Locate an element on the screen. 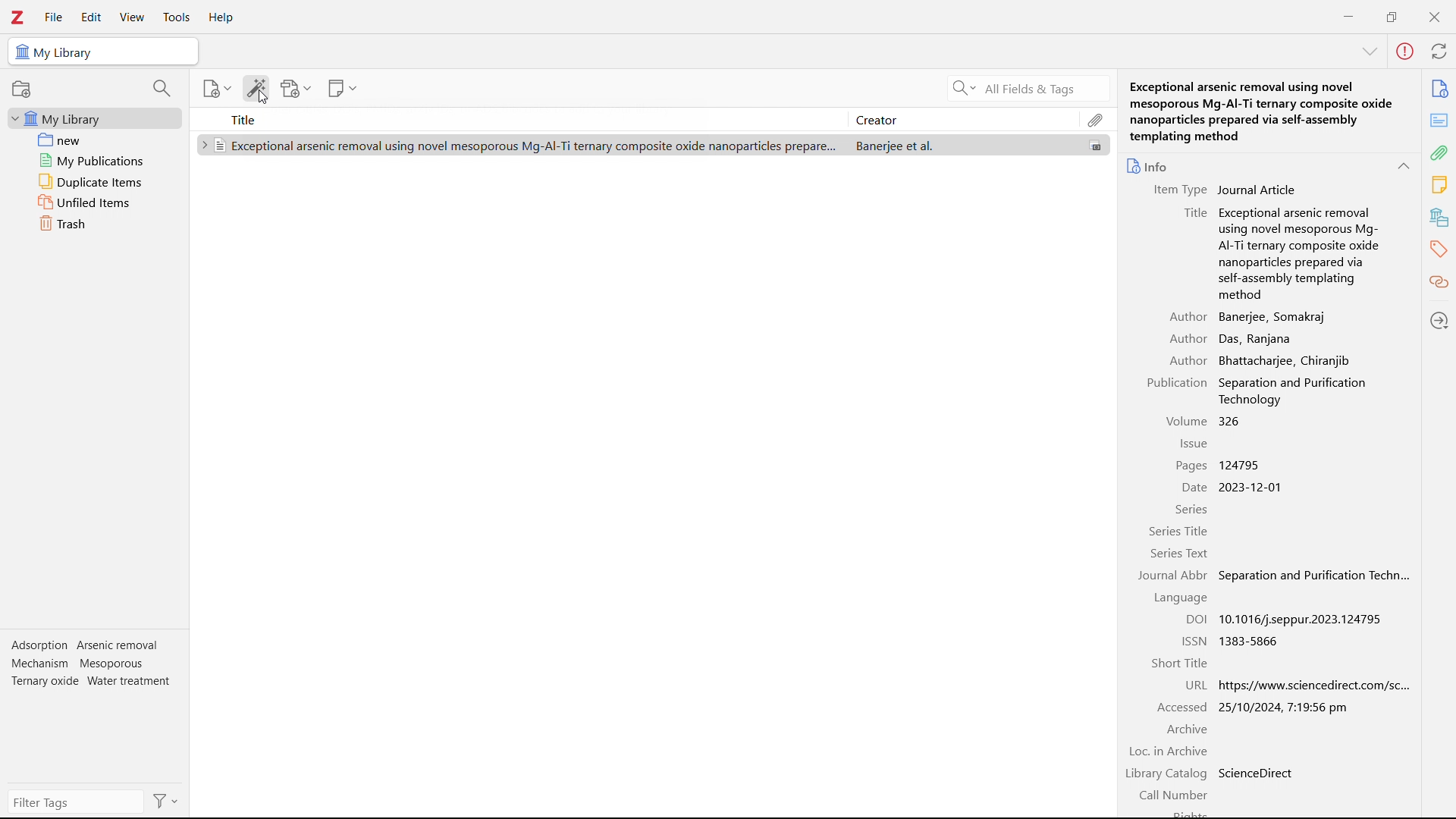  Series is located at coordinates (1191, 510).